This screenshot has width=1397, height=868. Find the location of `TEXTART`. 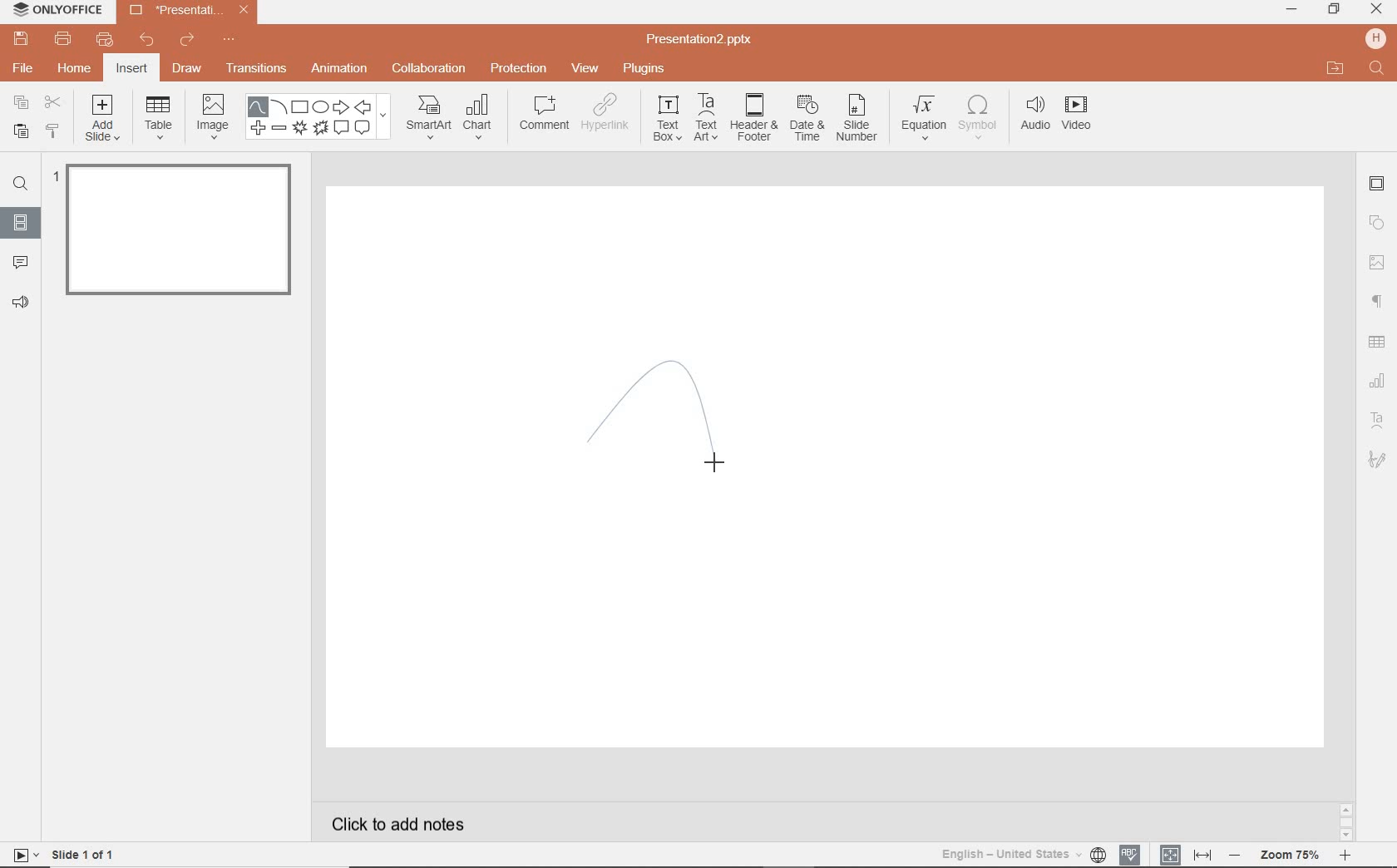

TEXTART is located at coordinates (706, 119).